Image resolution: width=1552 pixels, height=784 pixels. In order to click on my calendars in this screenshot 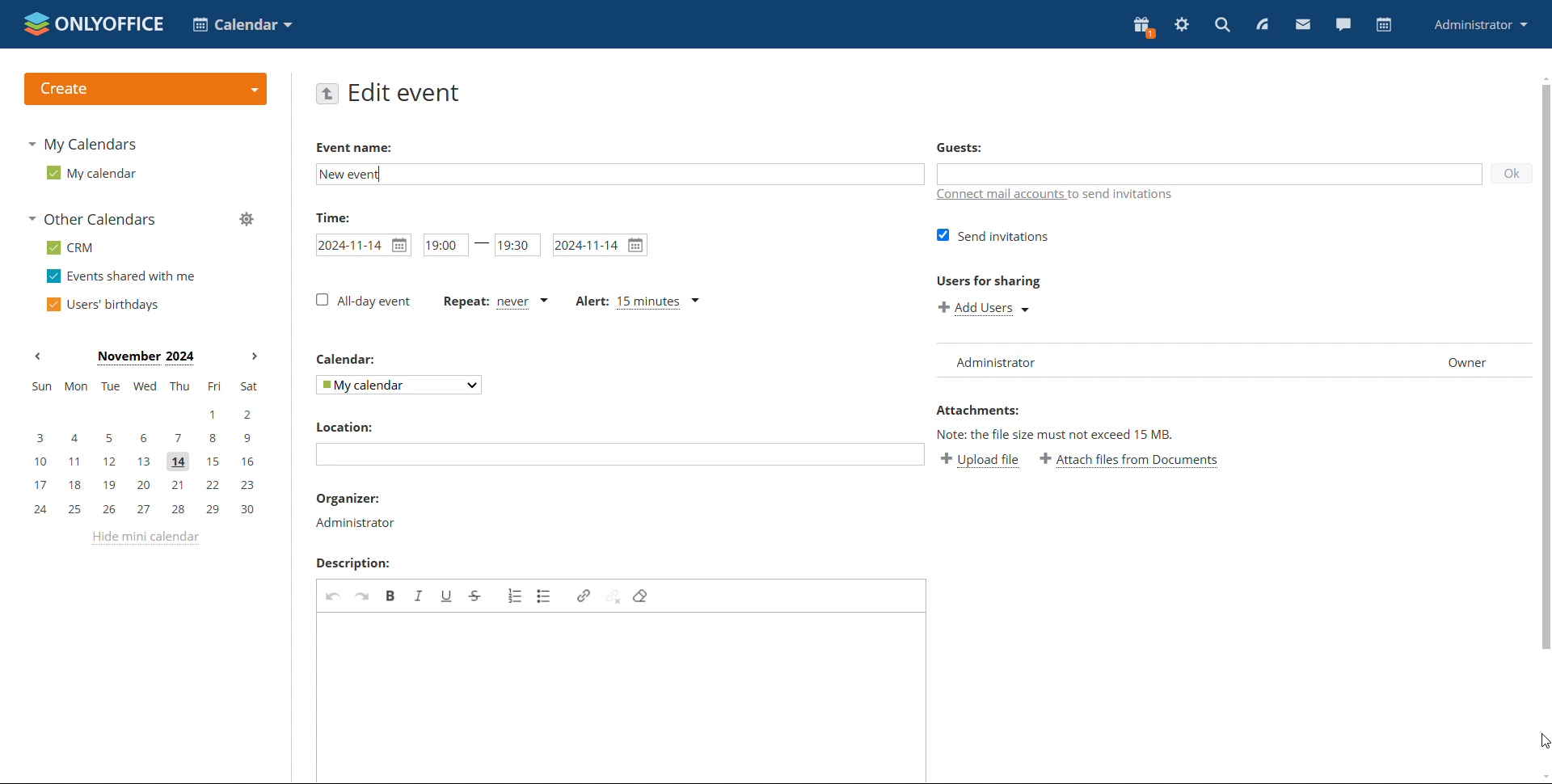, I will do `click(82, 145)`.